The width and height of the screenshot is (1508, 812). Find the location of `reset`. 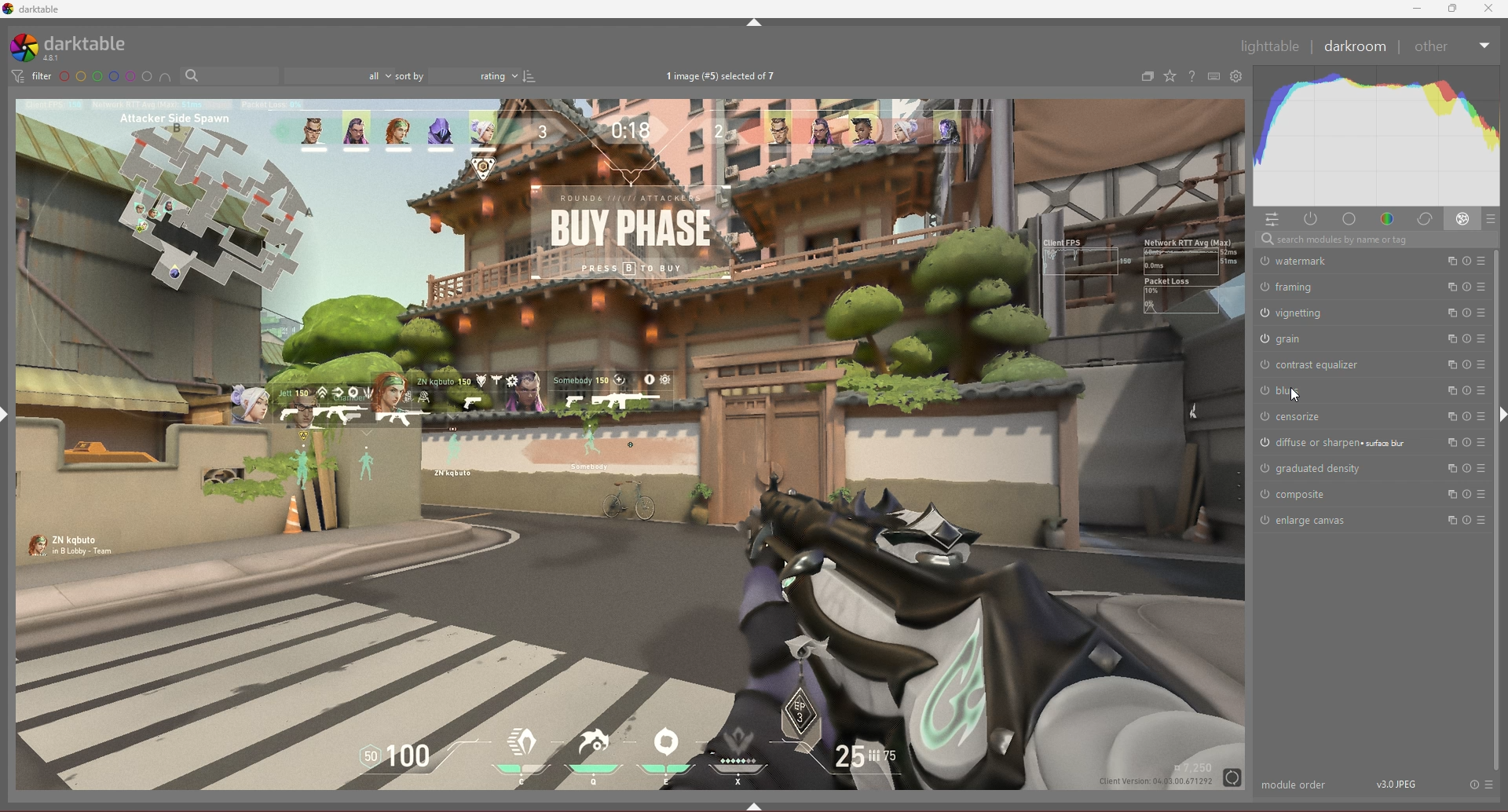

reset is located at coordinates (1466, 261).